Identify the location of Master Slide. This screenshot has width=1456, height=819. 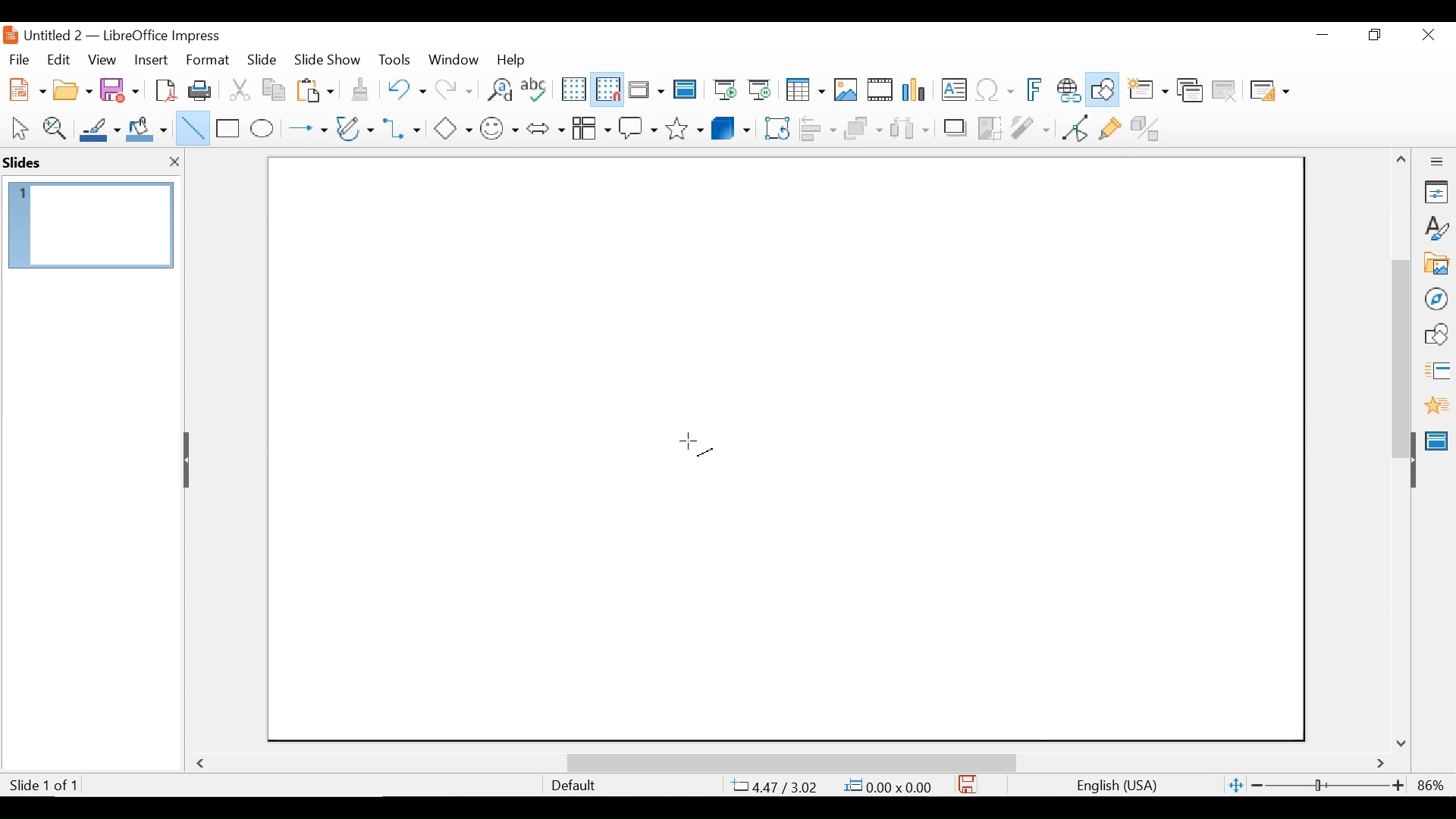
(1439, 439).